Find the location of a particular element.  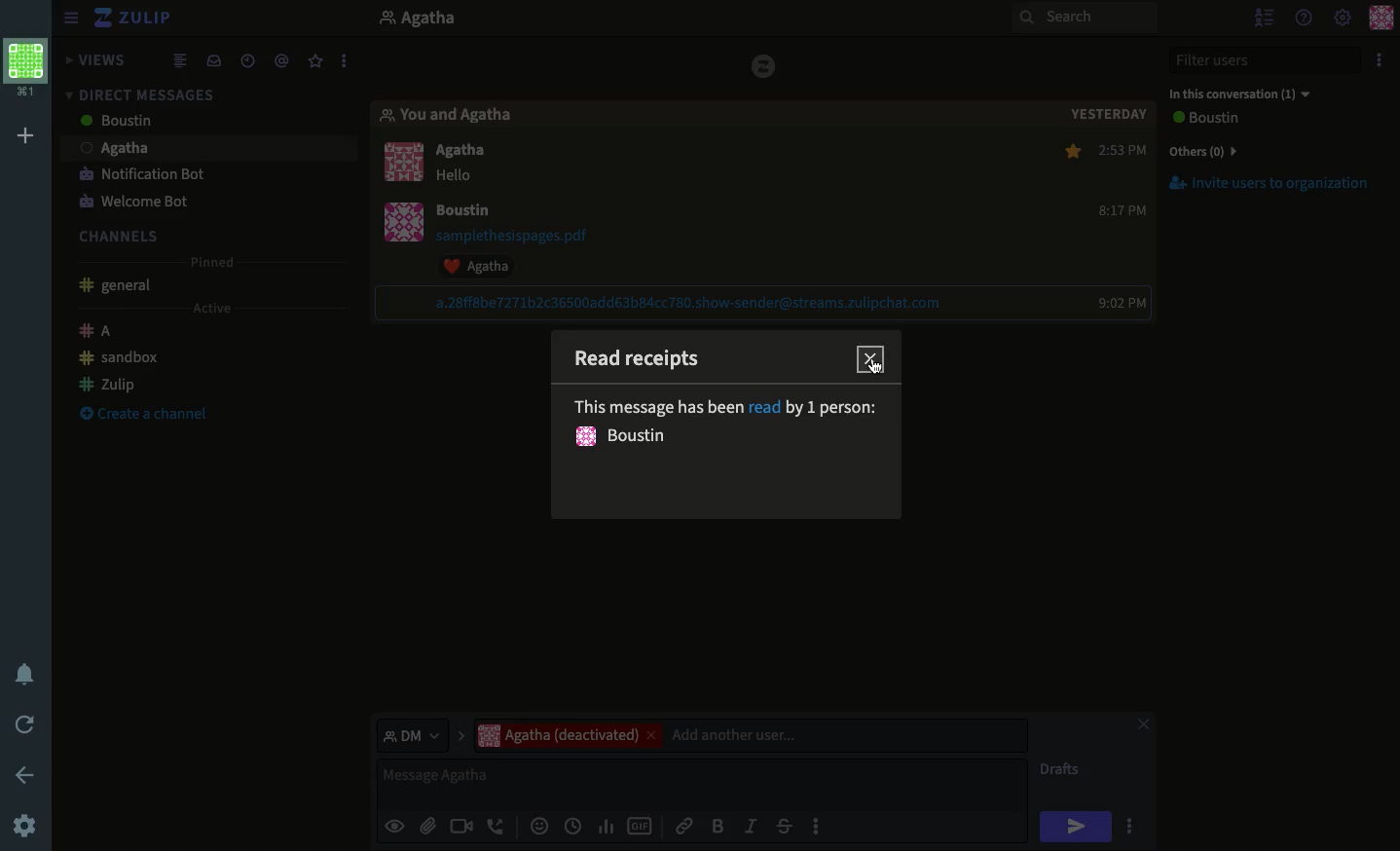

Channels is located at coordinates (126, 234).